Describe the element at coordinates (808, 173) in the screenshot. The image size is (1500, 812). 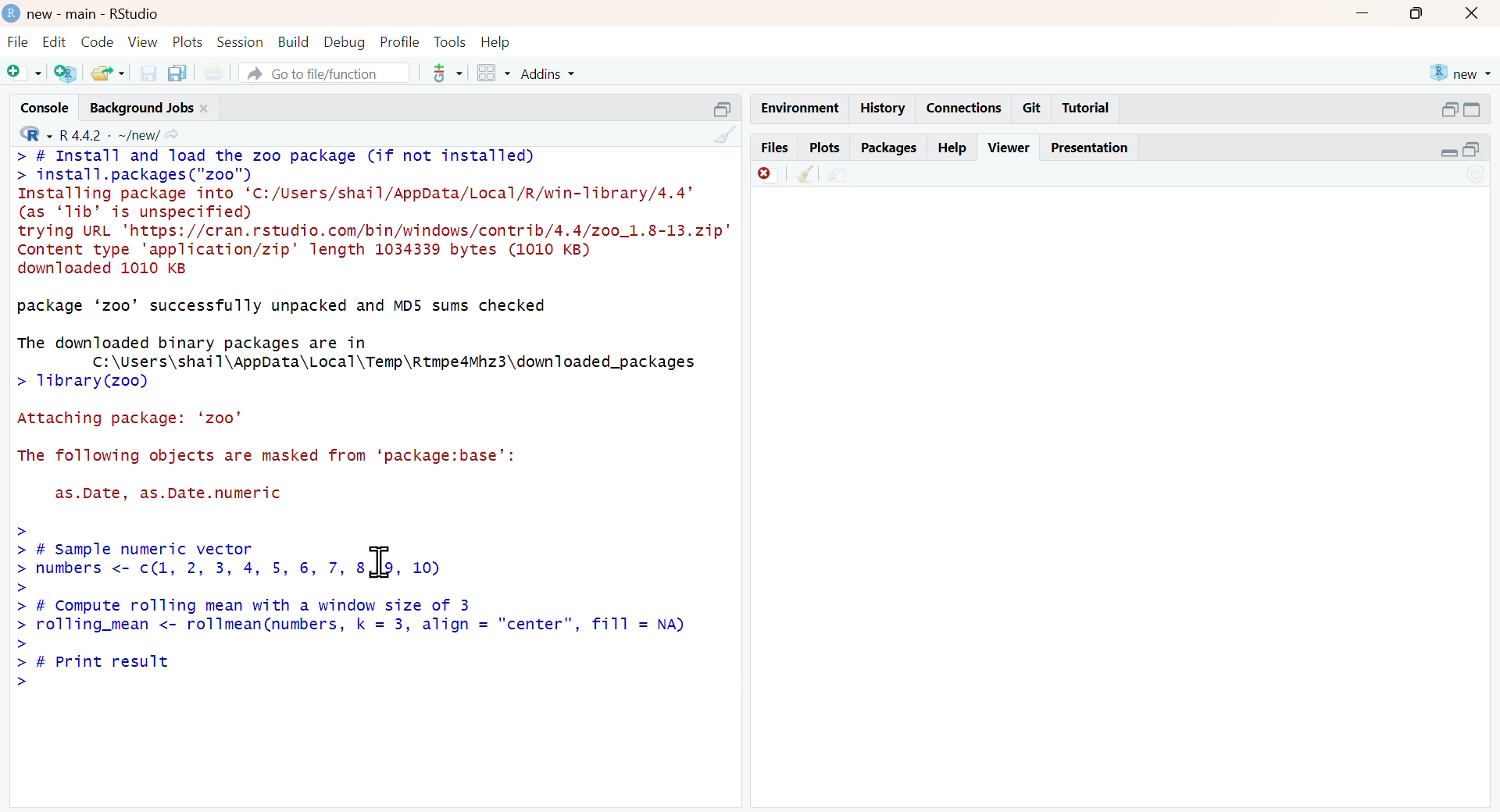
I see `clear` at that location.